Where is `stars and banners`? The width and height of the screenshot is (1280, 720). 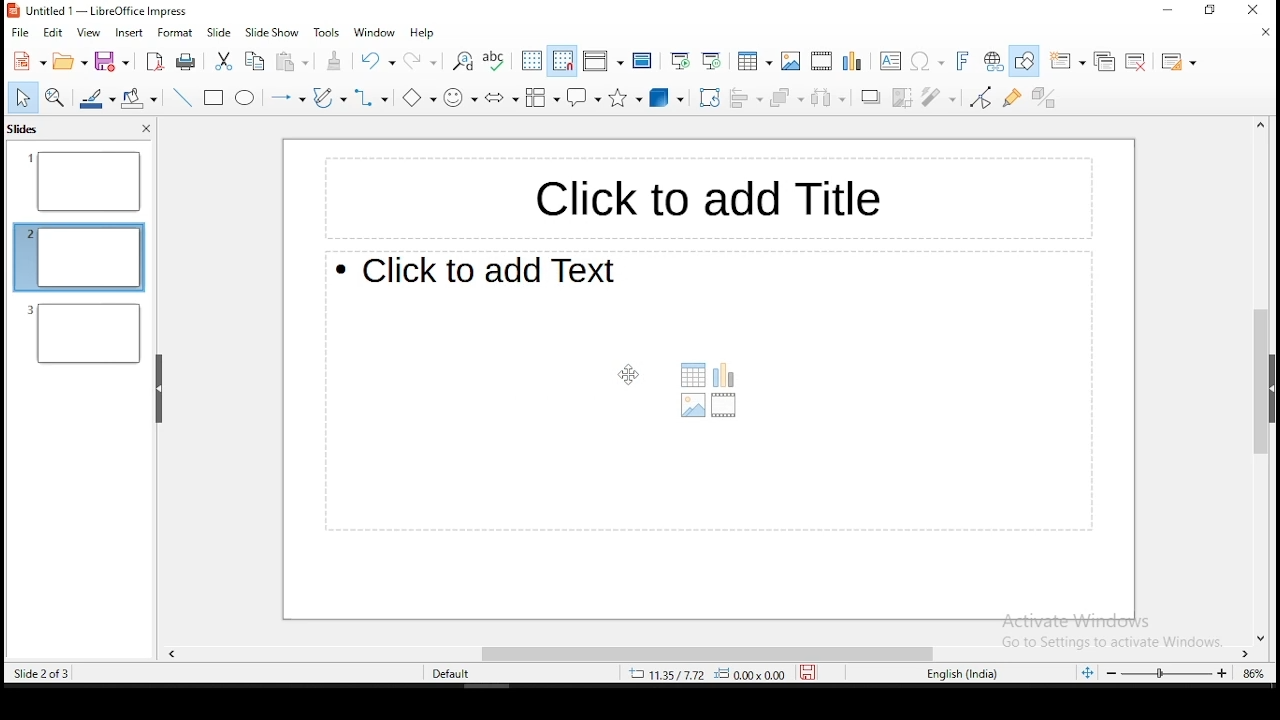
stars and banners is located at coordinates (628, 99).